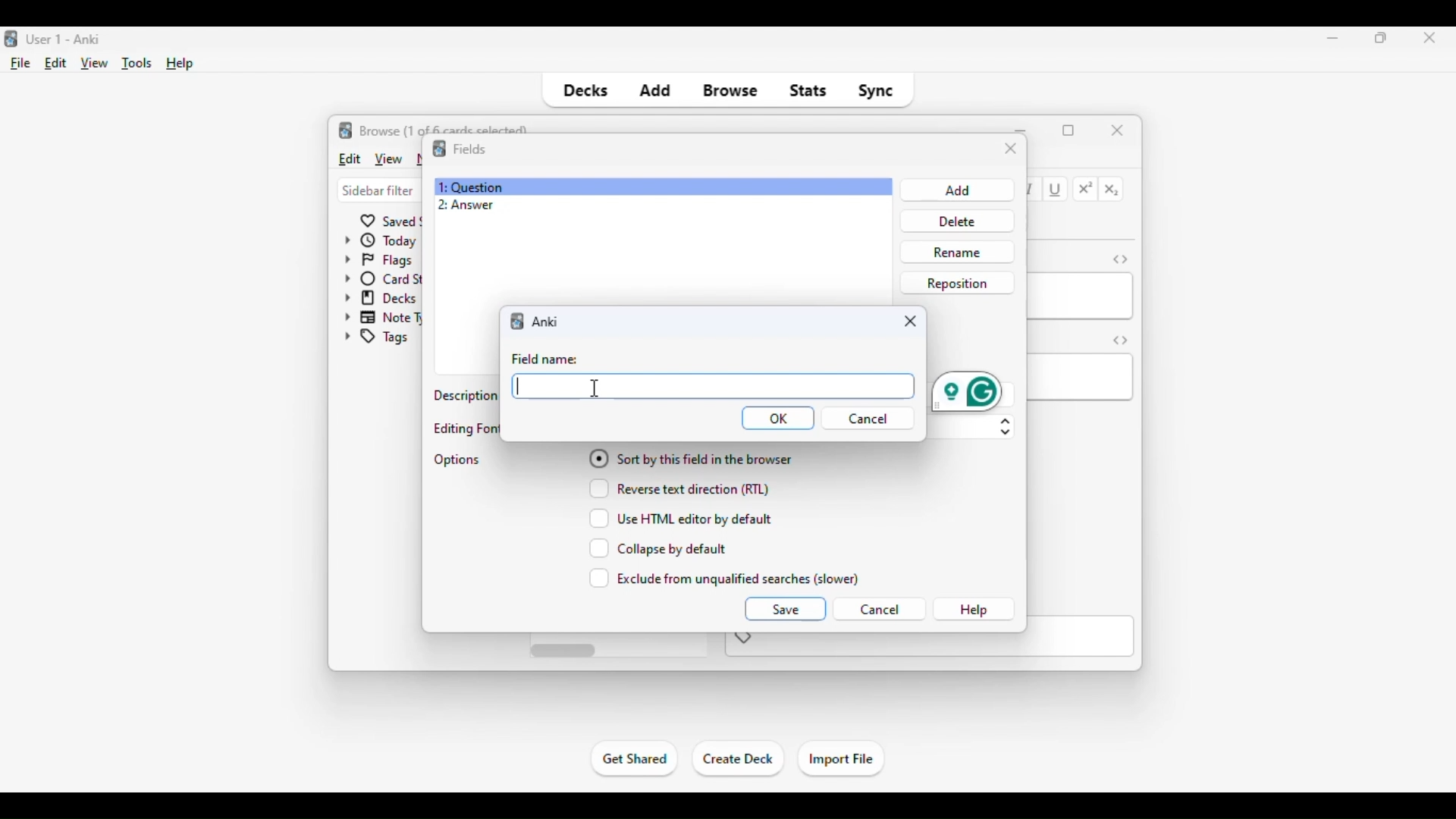 This screenshot has height=819, width=1456. Describe the element at coordinates (519, 321) in the screenshot. I see `anki` at that location.